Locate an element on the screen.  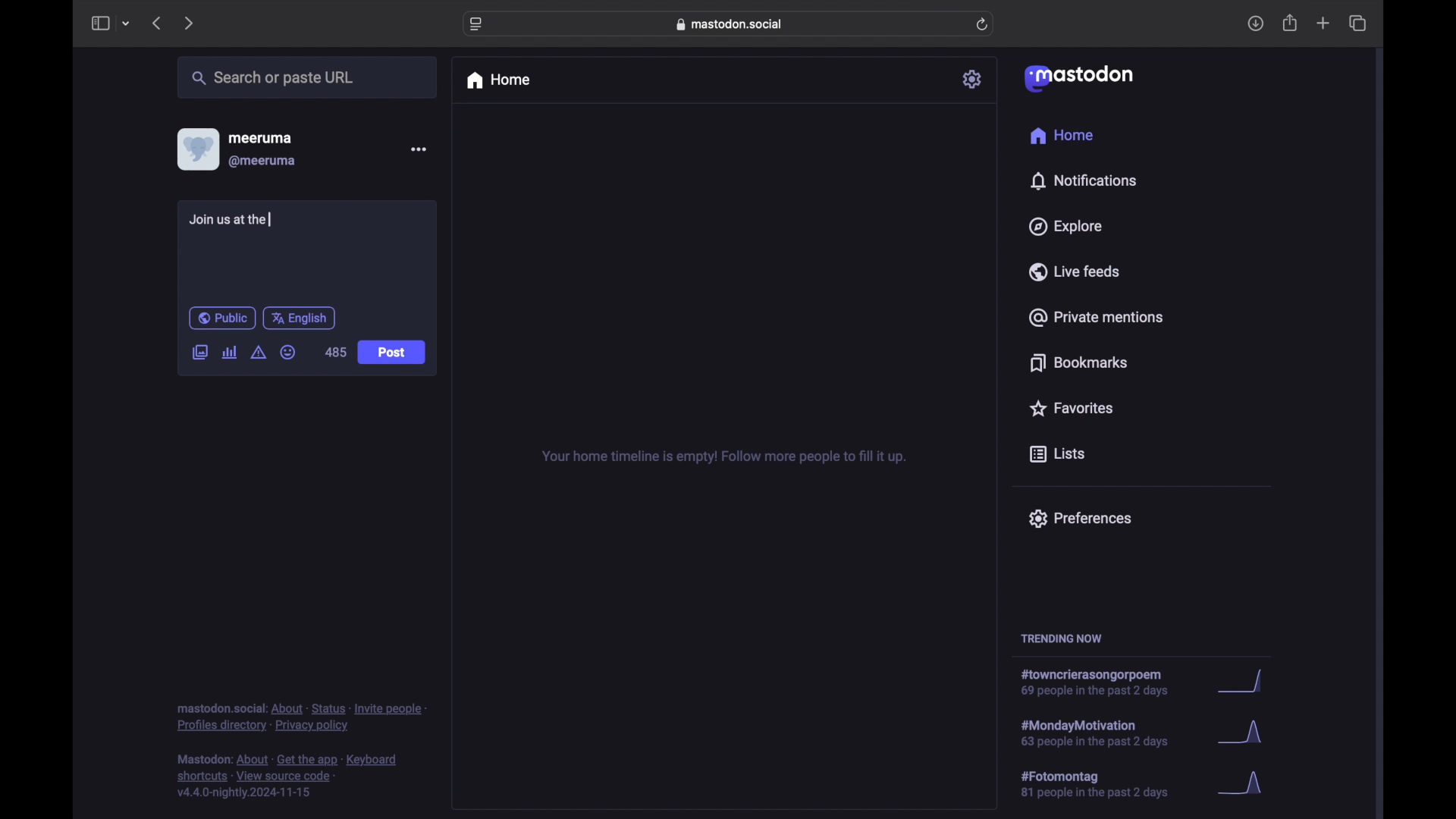
hashtag trend is located at coordinates (1105, 732).